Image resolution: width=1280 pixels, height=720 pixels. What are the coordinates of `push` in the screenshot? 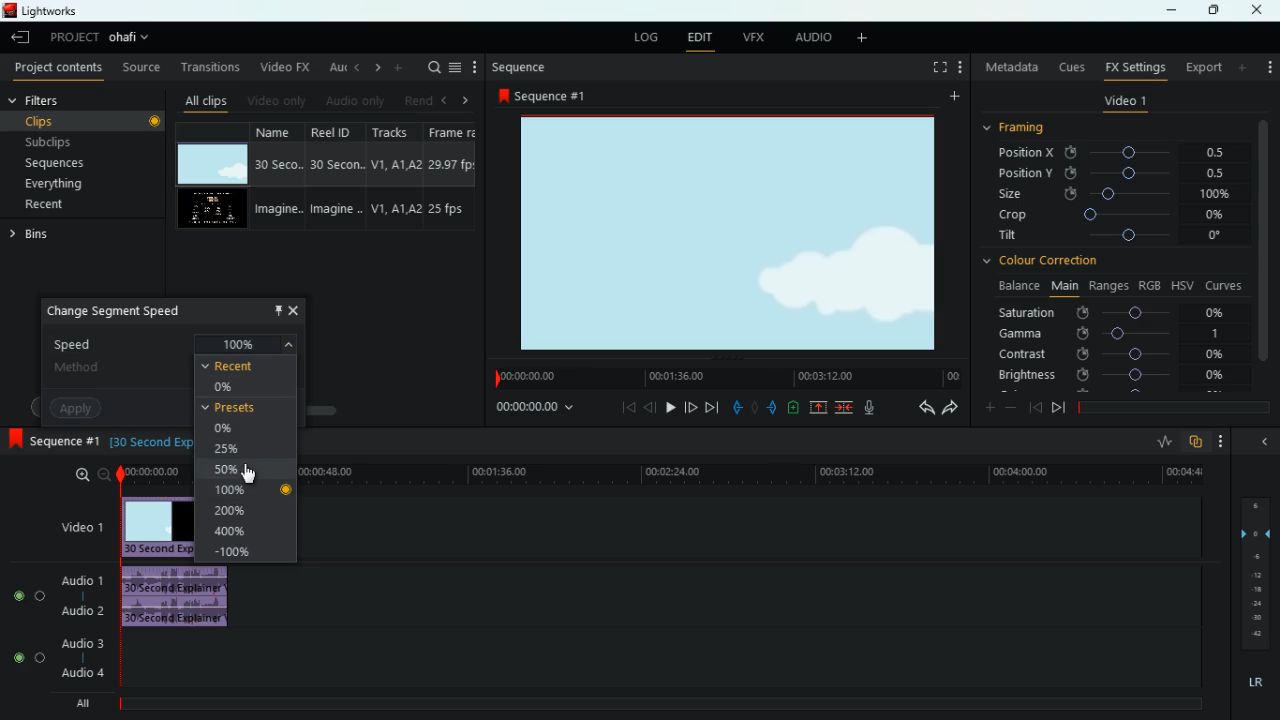 It's located at (773, 407).